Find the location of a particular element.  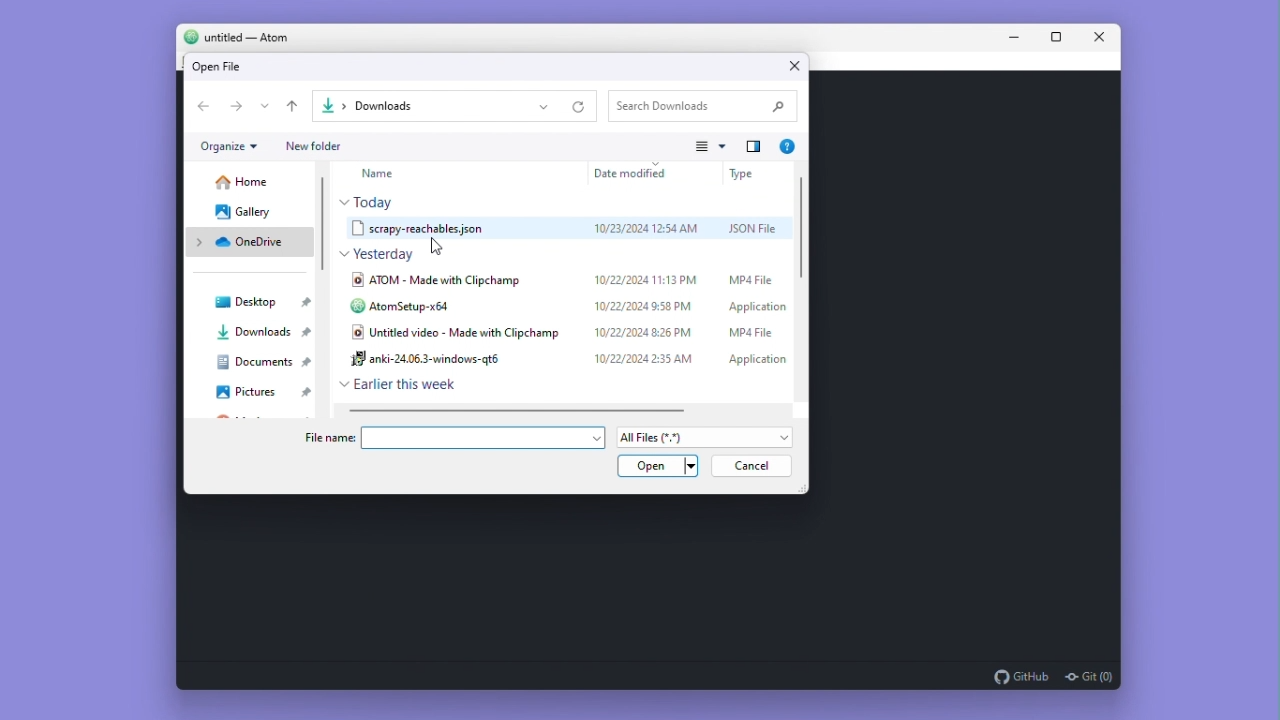

Untitled video - Made with Clipchamp 10/22/2024 8:26PM MP4 File is located at coordinates (564, 332).